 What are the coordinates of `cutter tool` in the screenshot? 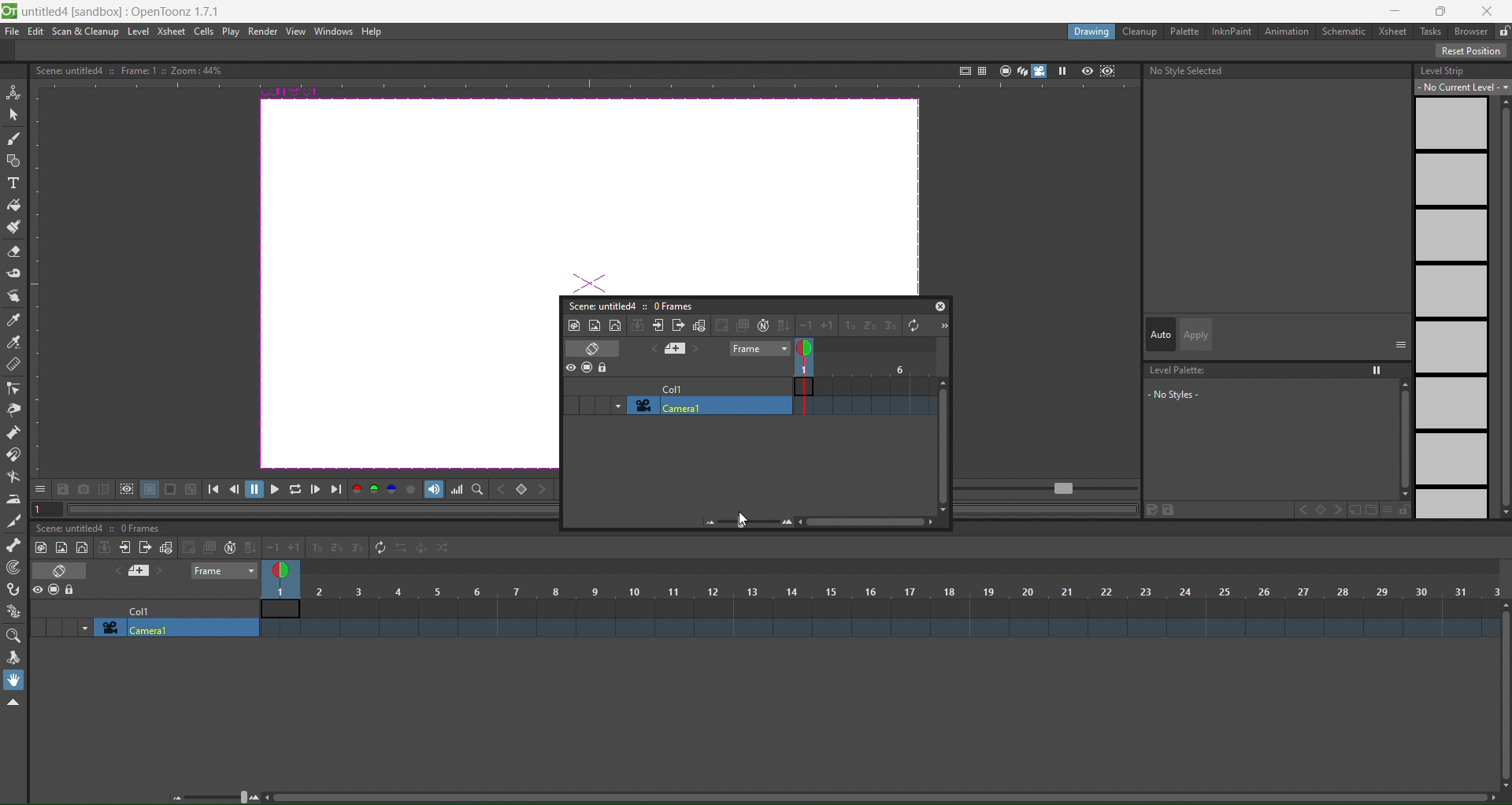 It's located at (13, 521).